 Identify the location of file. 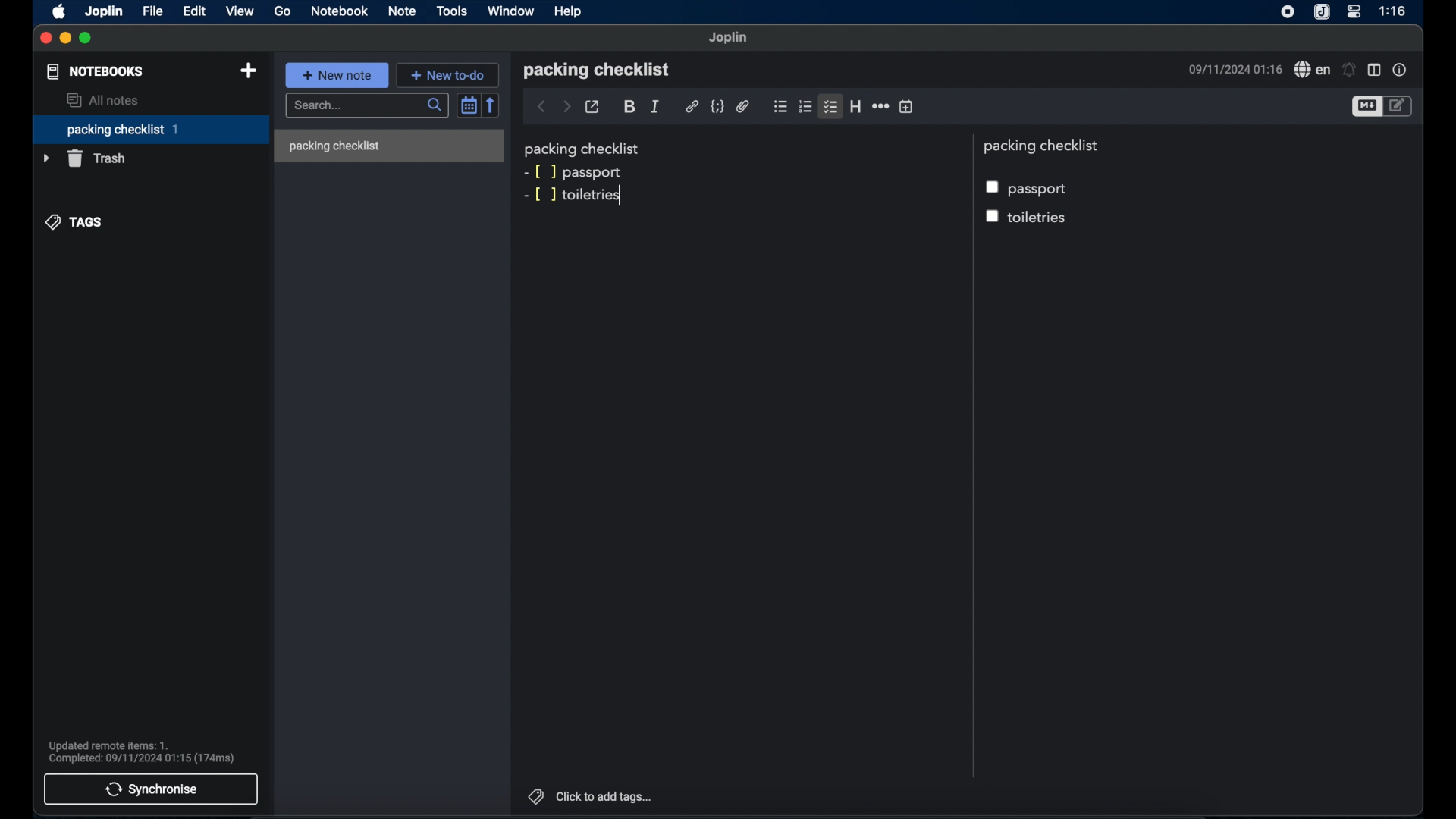
(154, 11).